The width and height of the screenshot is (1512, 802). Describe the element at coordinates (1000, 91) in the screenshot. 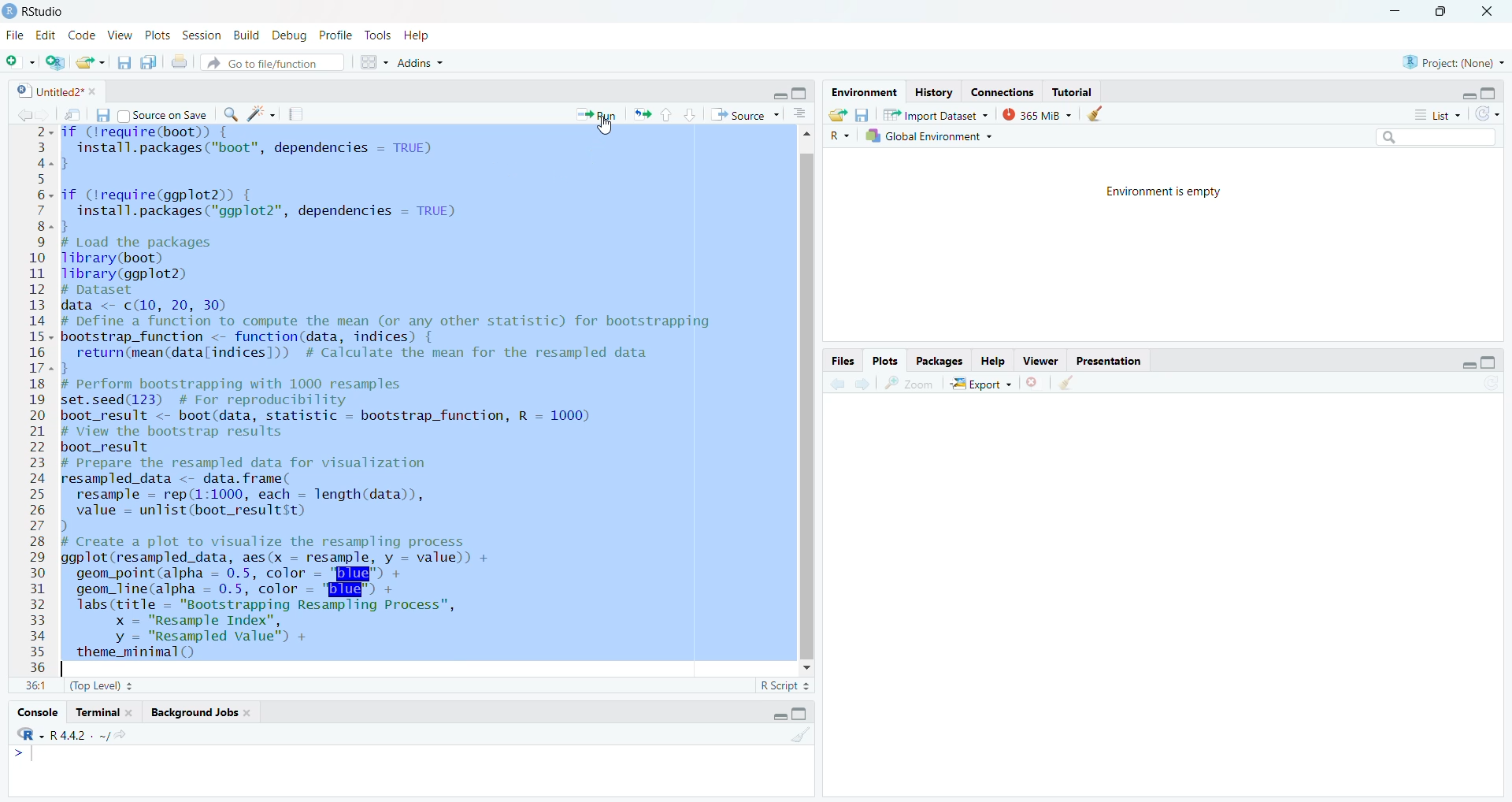

I see `connections` at that location.